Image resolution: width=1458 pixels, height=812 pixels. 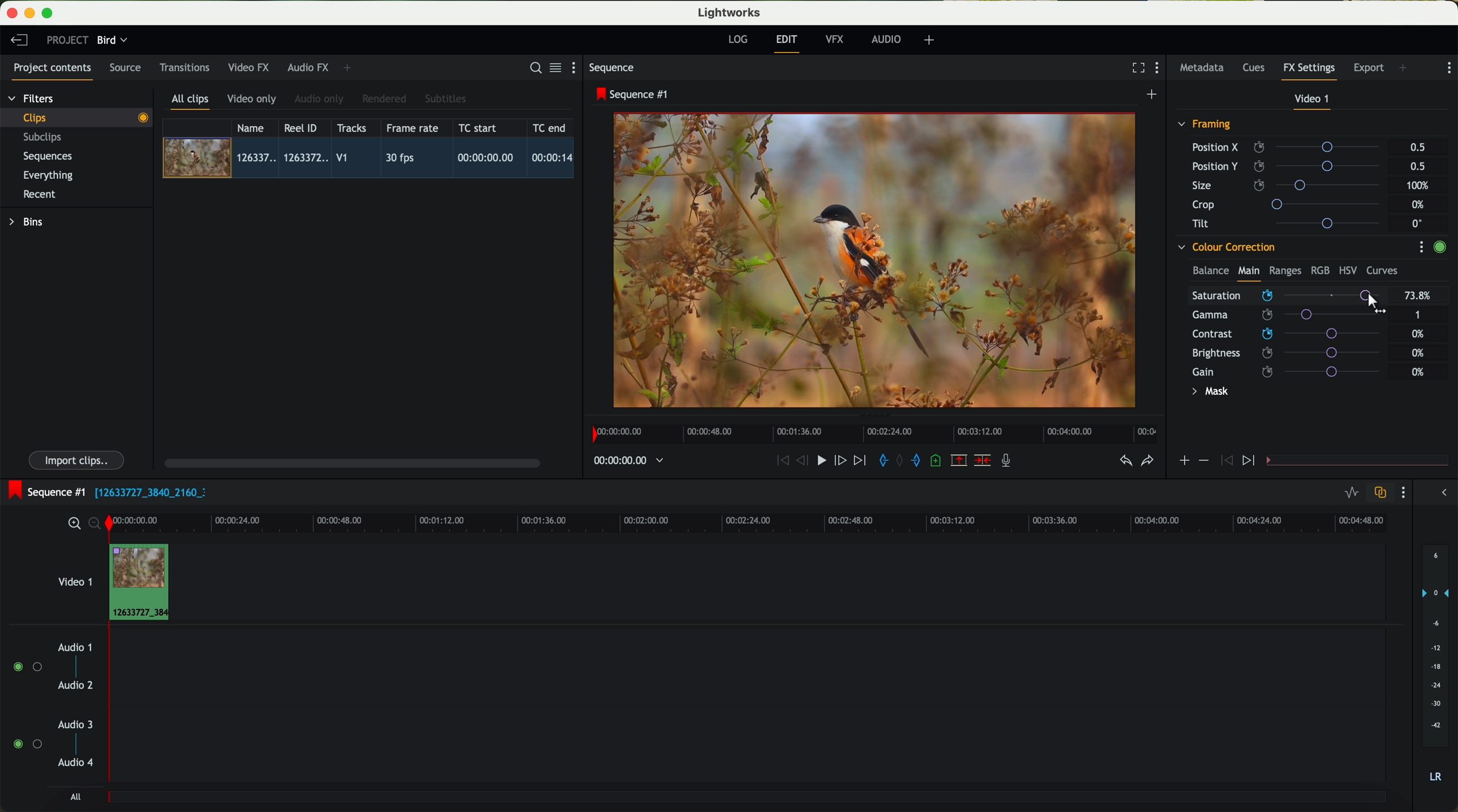 What do you see at coordinates (730, 12) in the screenshot?
I see `Lightworks` at bounding box center [730, 12].